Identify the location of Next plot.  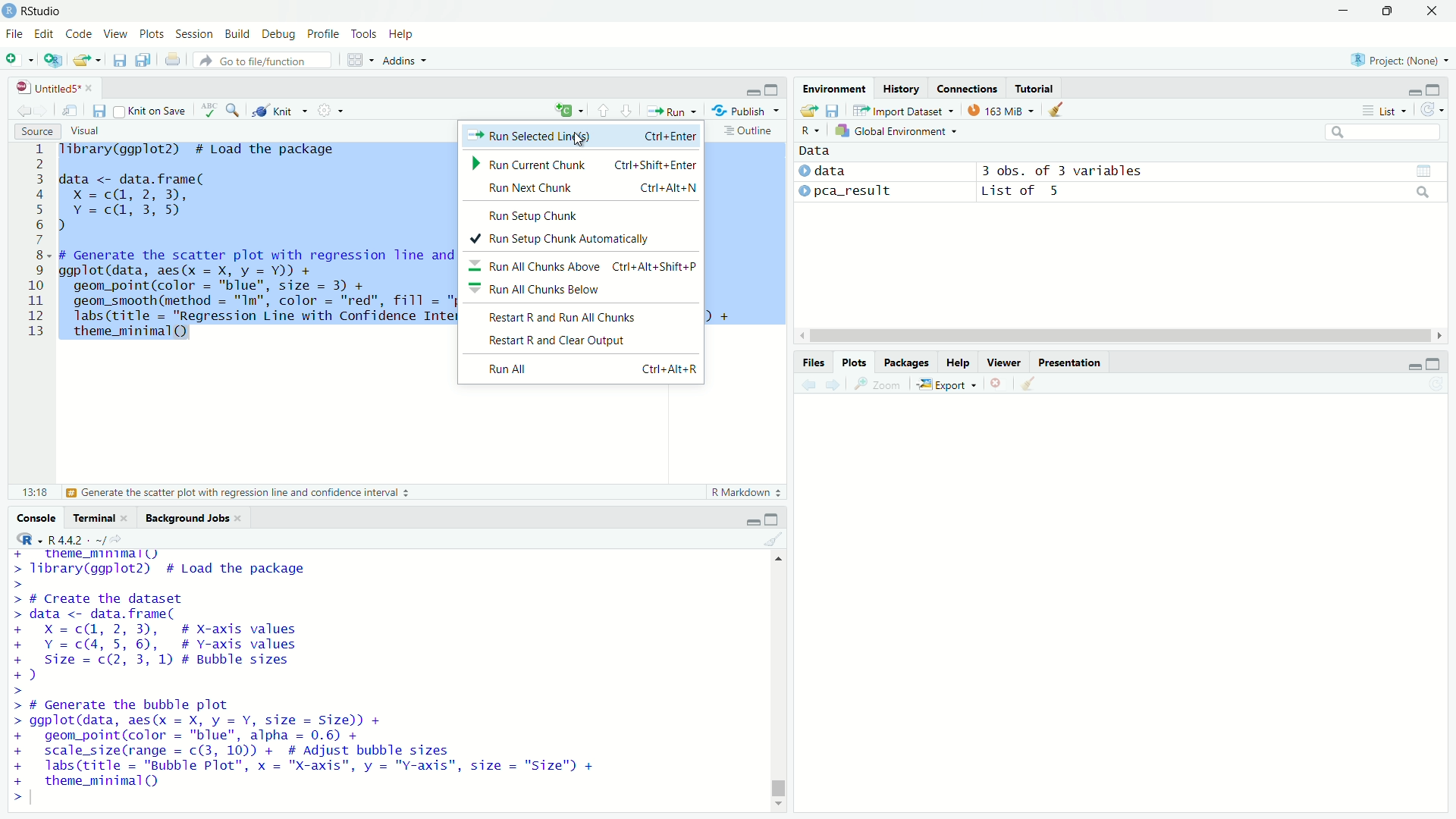
(833, 384).